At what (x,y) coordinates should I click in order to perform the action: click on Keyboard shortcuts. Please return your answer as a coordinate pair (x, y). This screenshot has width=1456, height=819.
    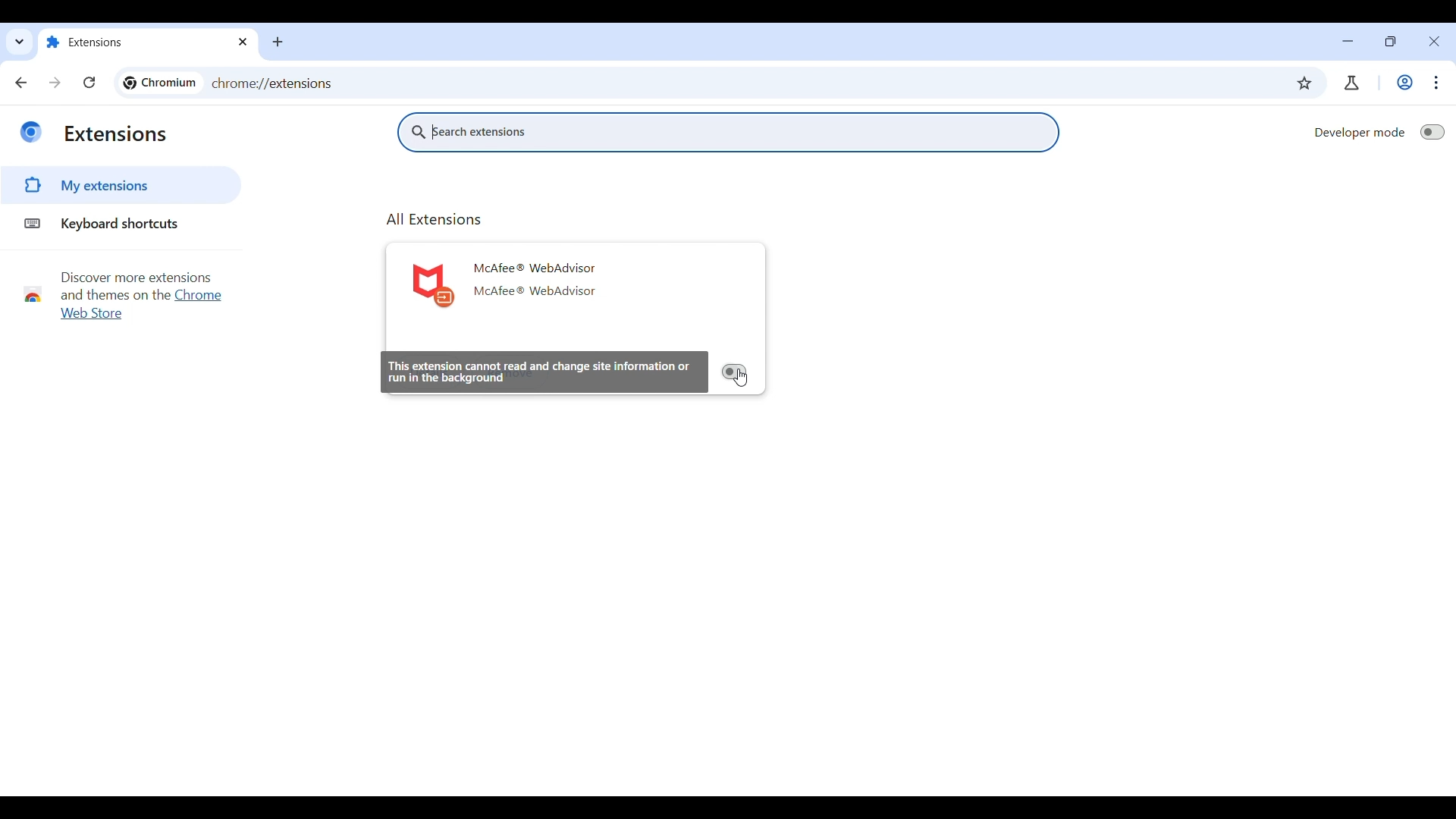
    Looking at the image, I should click on (105, 224).